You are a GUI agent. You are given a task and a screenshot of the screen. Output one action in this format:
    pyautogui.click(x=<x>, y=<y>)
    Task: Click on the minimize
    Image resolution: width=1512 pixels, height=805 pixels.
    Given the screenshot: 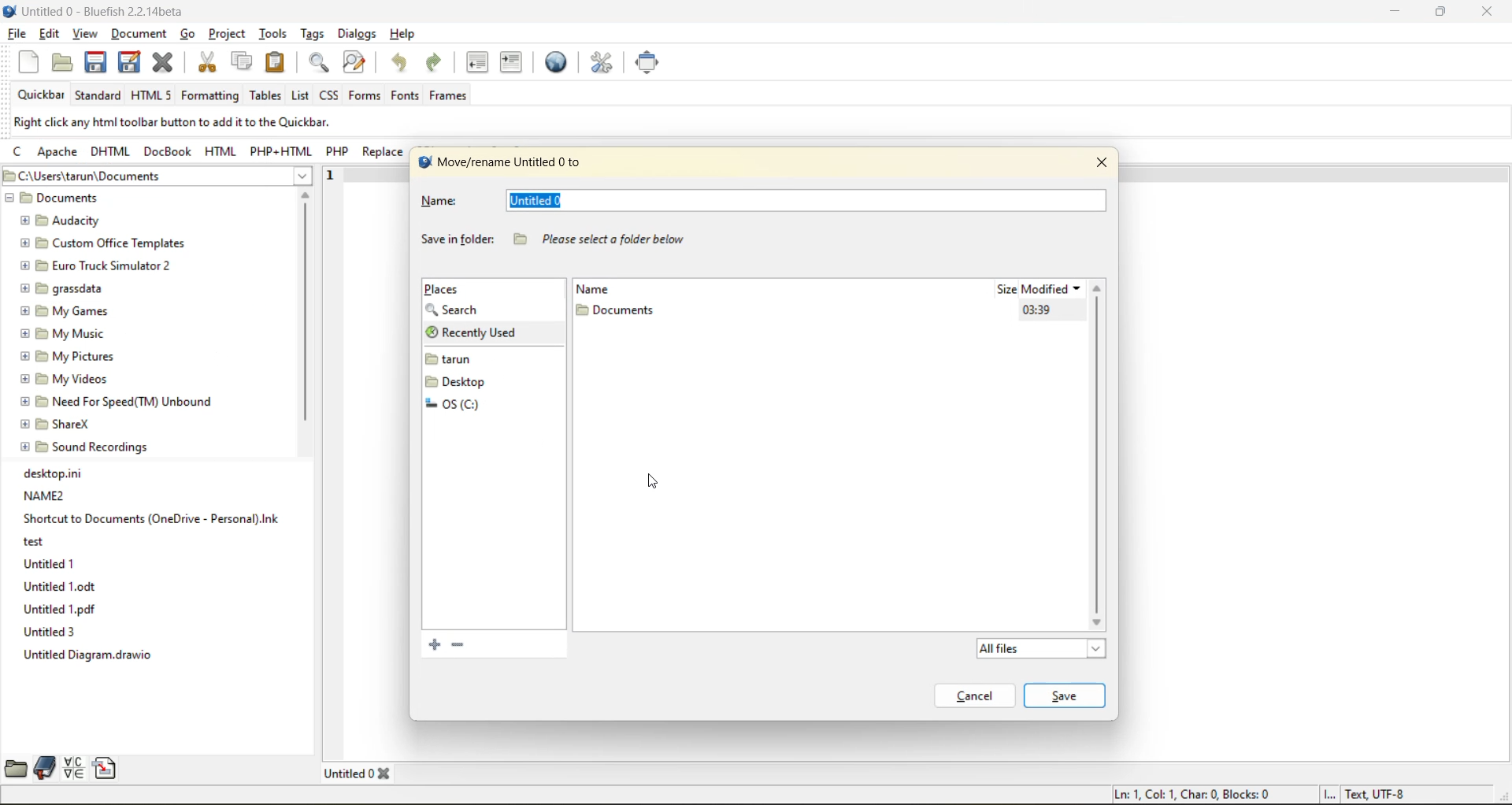 What is the action you would take?
    pyautogui.click(x=1399, y=9)
    